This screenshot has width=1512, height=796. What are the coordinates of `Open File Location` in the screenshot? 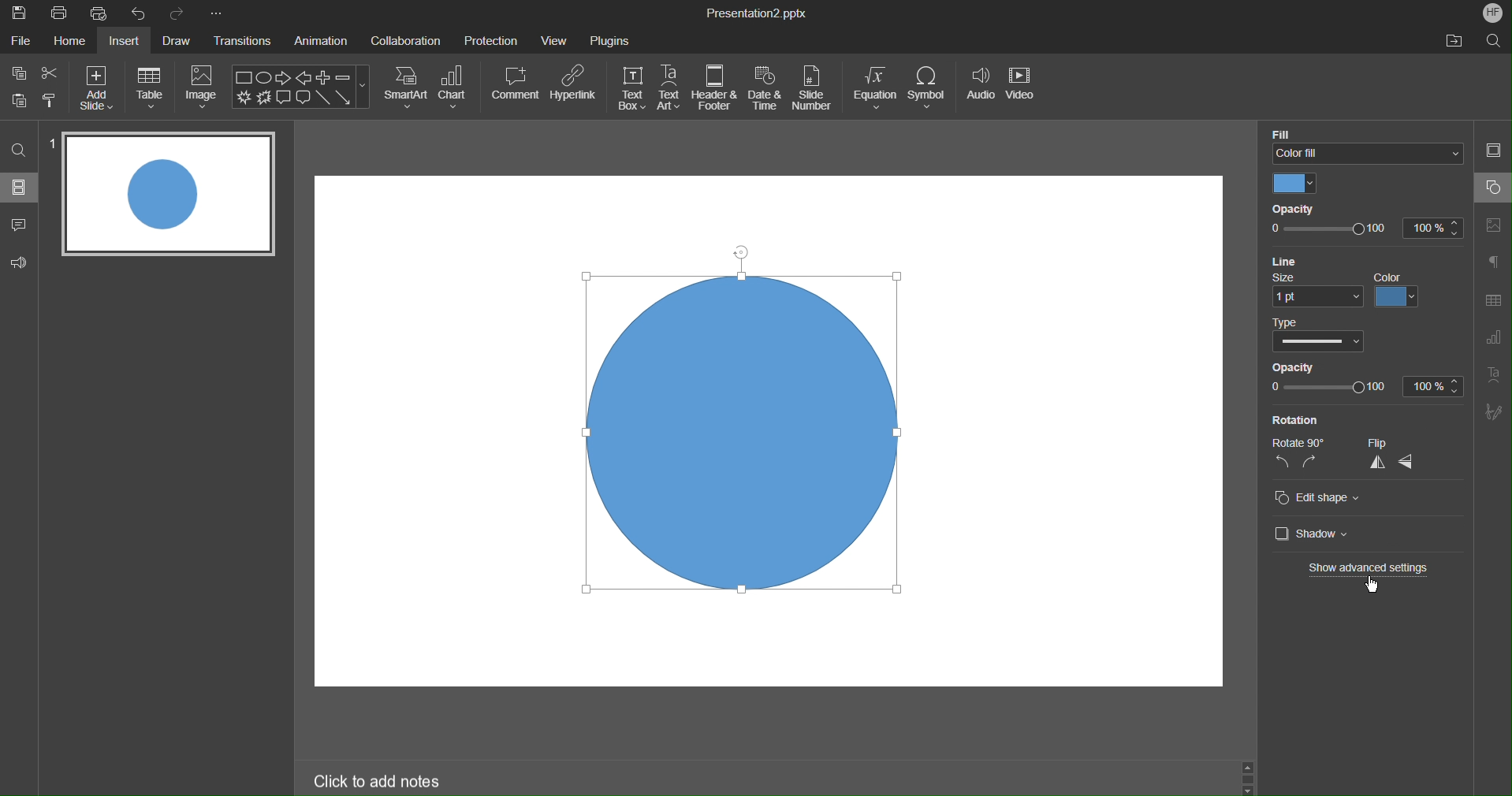 It's located at (1454, 42).